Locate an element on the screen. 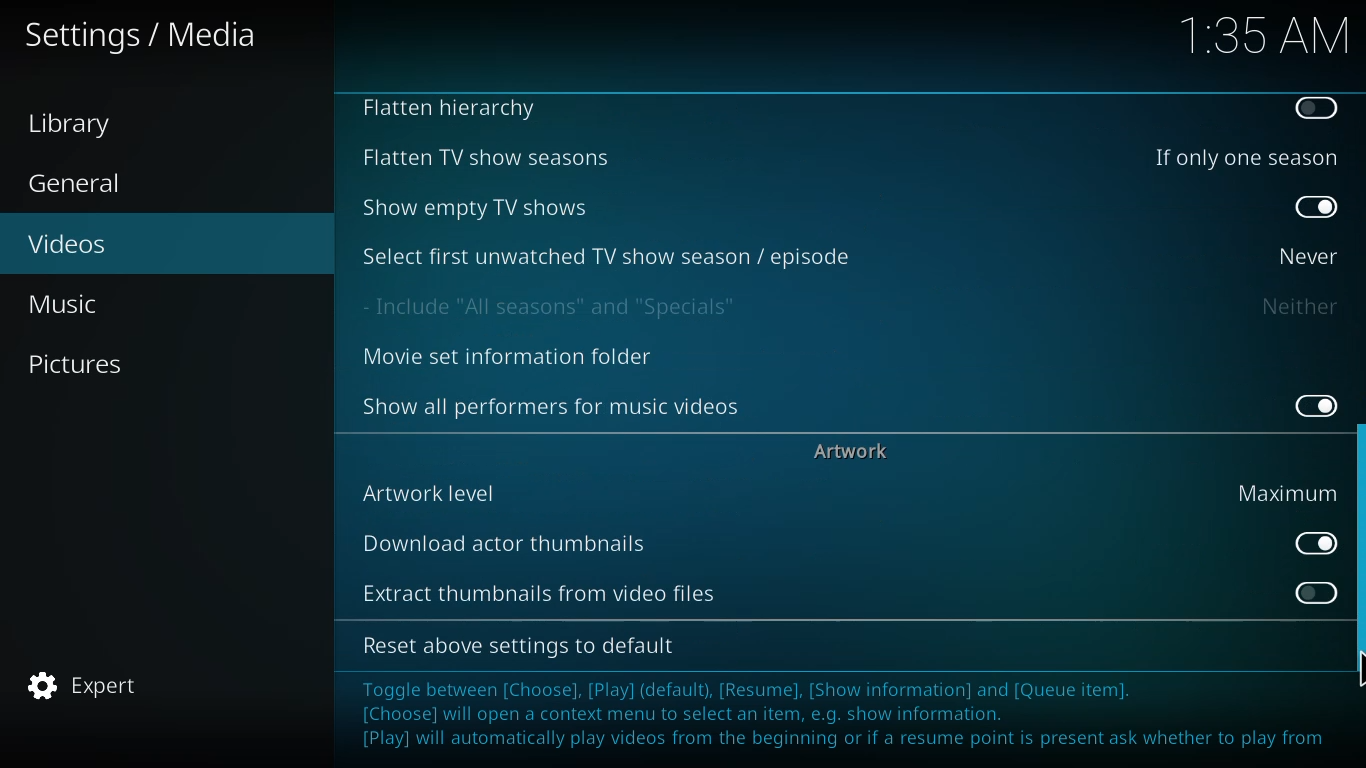  general is located at coordinates (79, 184).